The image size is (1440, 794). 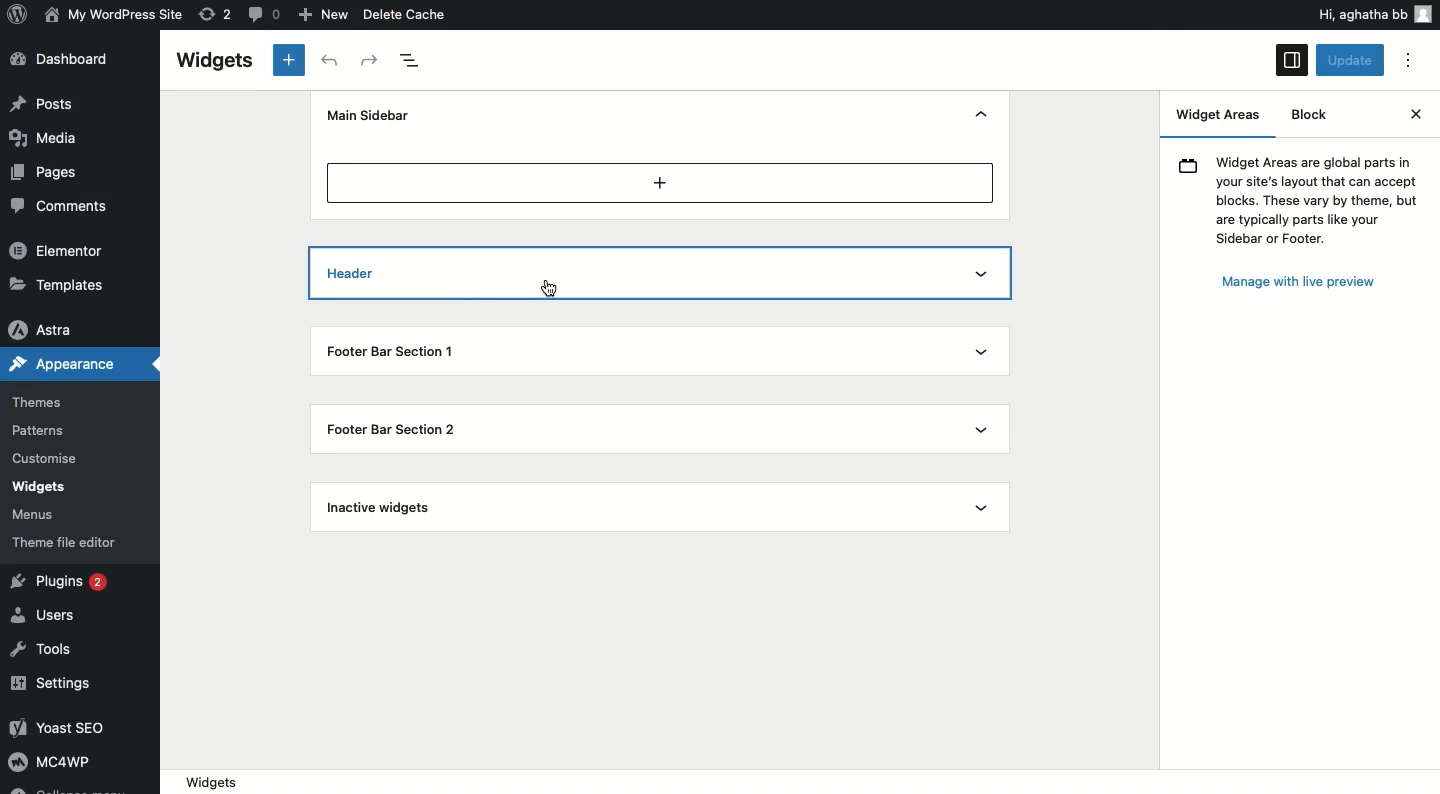 I want to click on Hi user, so click(x=1373, y=14).